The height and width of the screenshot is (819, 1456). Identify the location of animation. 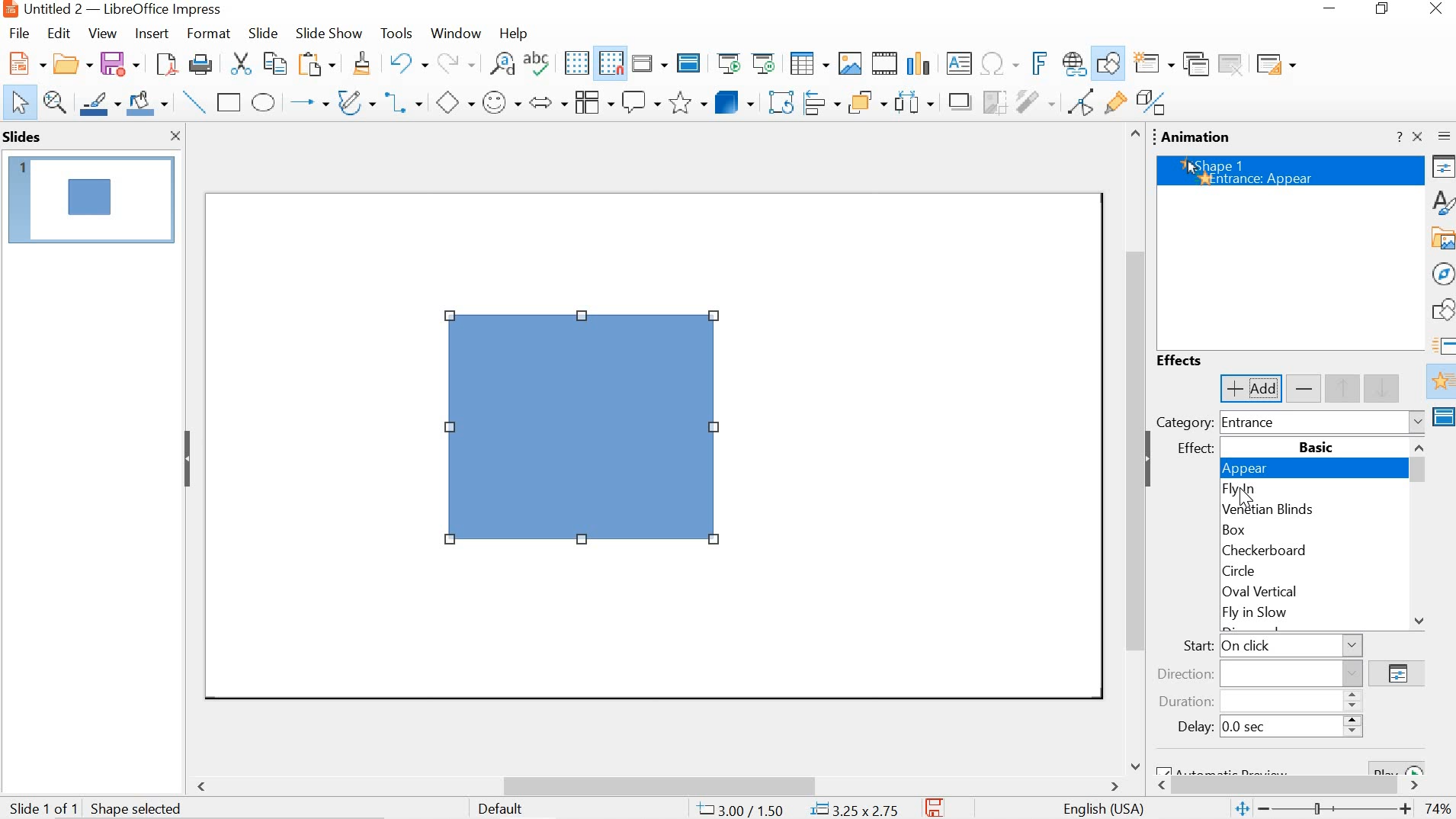
(1441, 383).